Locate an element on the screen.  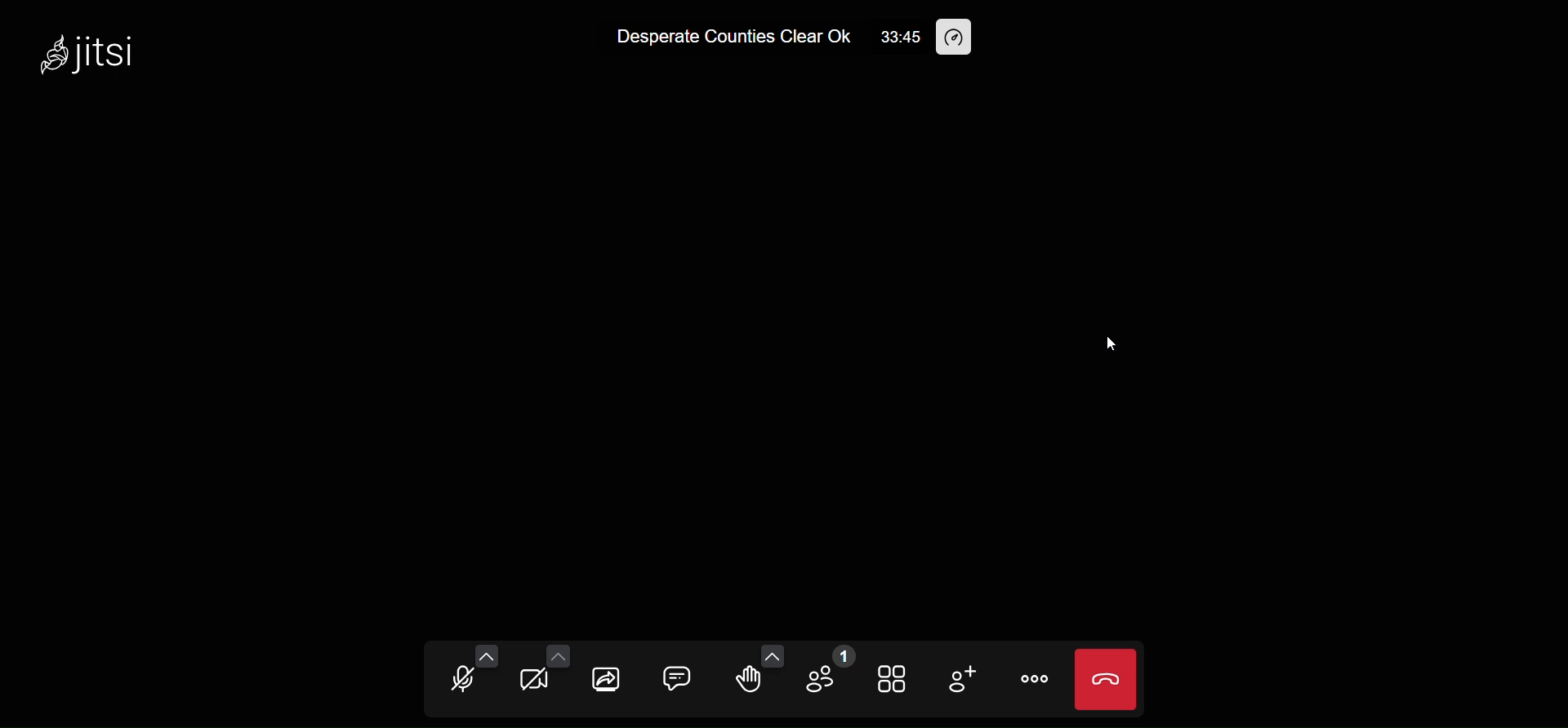
more audio setting is located at coordinates (489, 655).